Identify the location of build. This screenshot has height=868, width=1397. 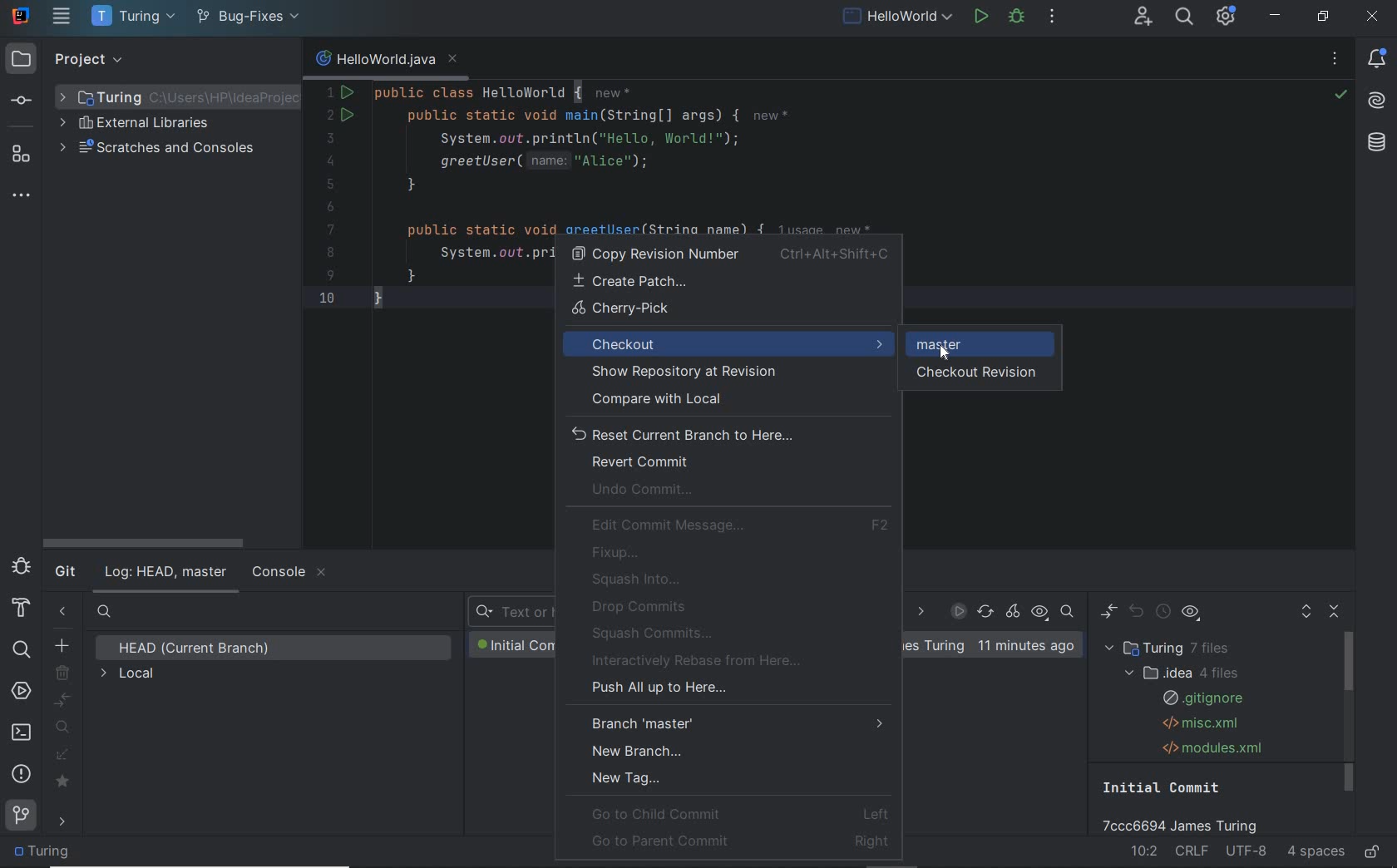
(21, 609).